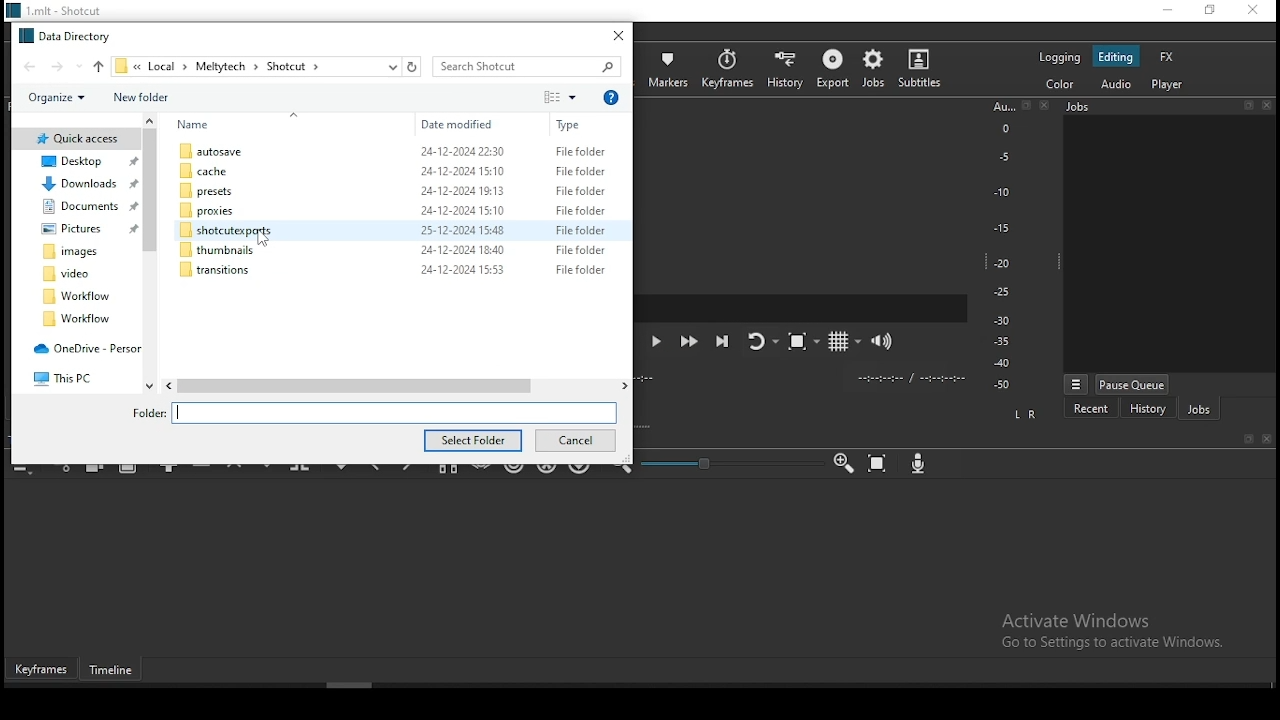 This screenshot has height=720, width=1280. I want to click on skip to the next point, so click(723, 340).